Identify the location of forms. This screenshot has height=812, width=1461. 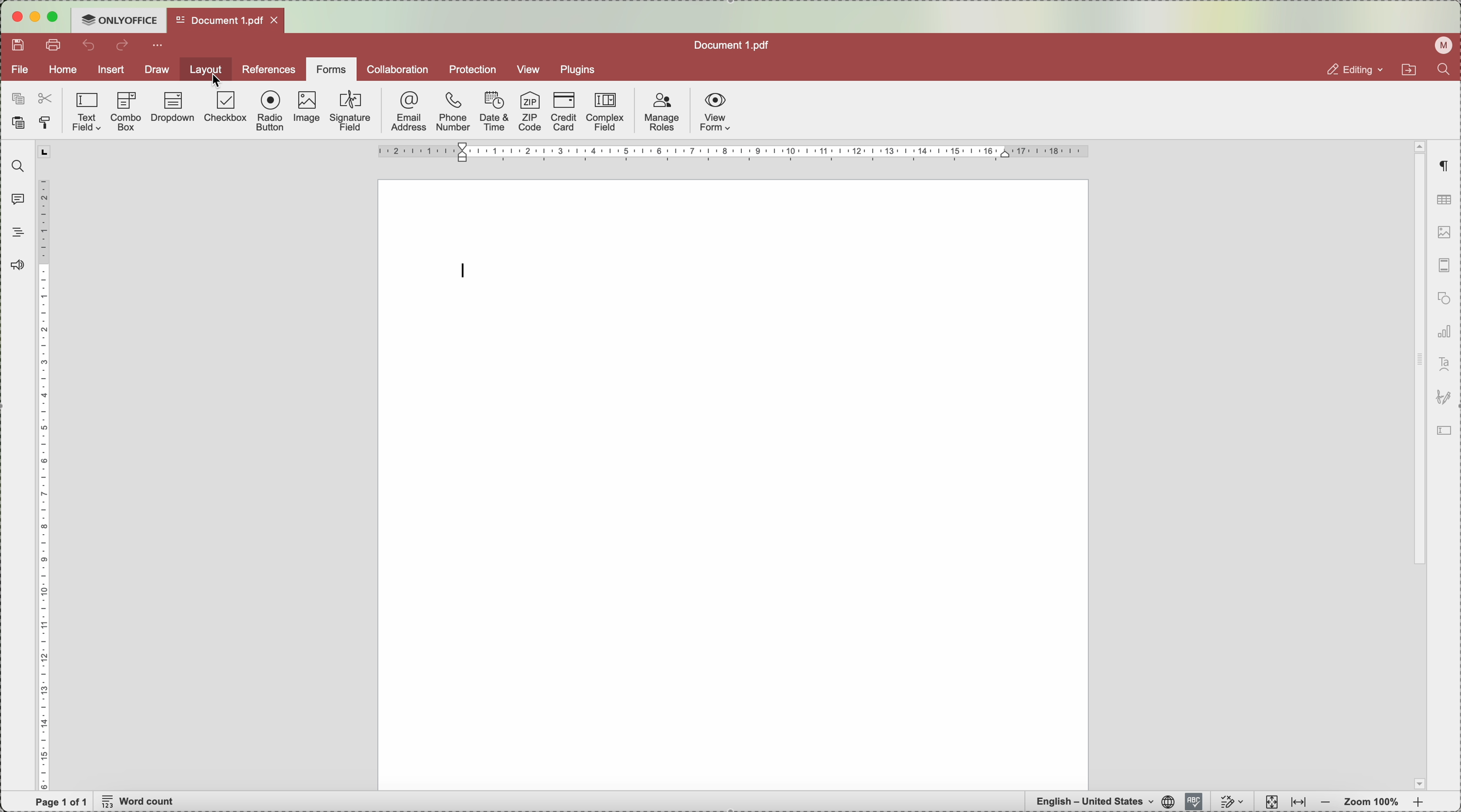
(331, 69).